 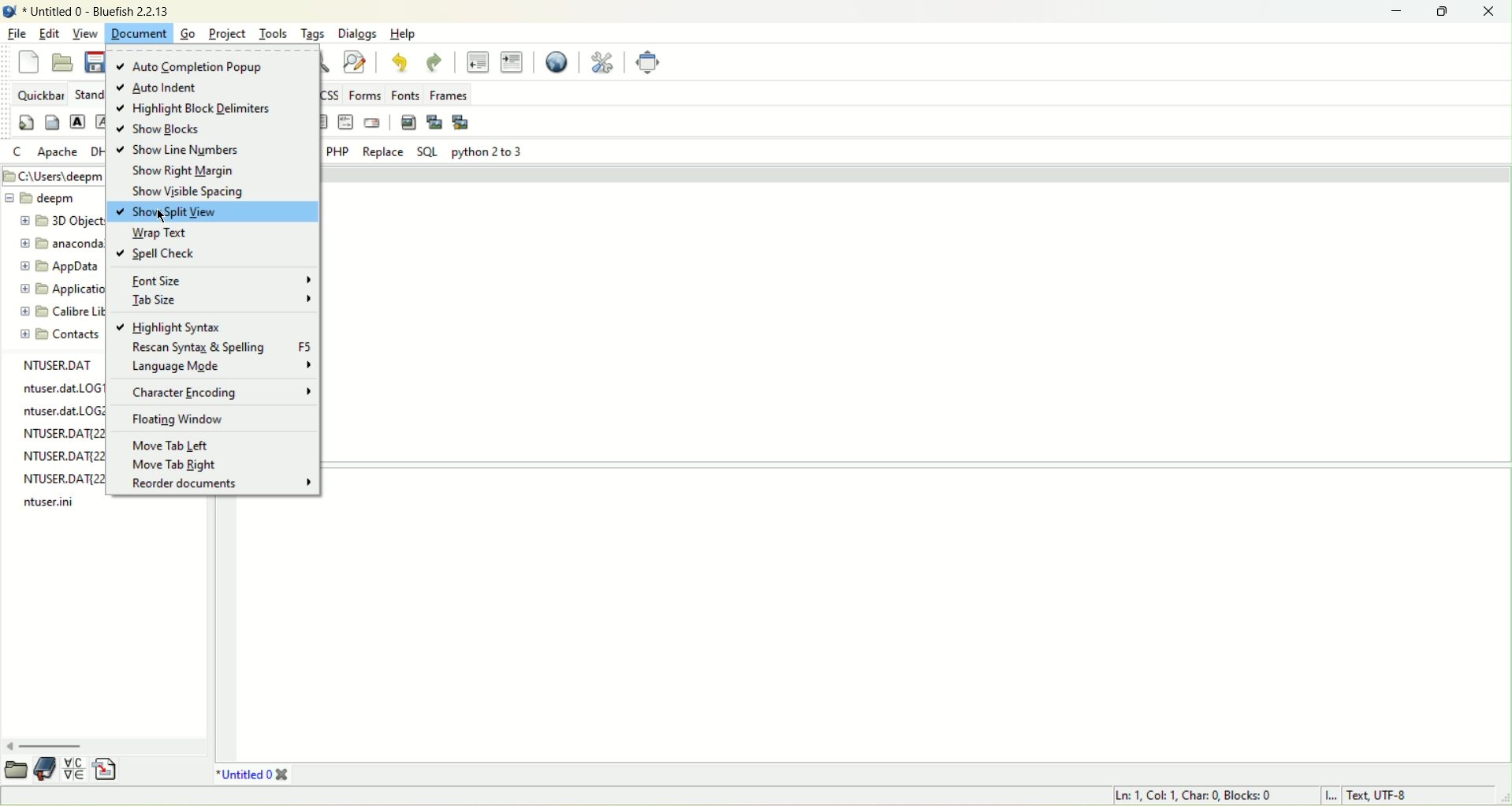 I want to click on snippets, so click(x=112, y=771).